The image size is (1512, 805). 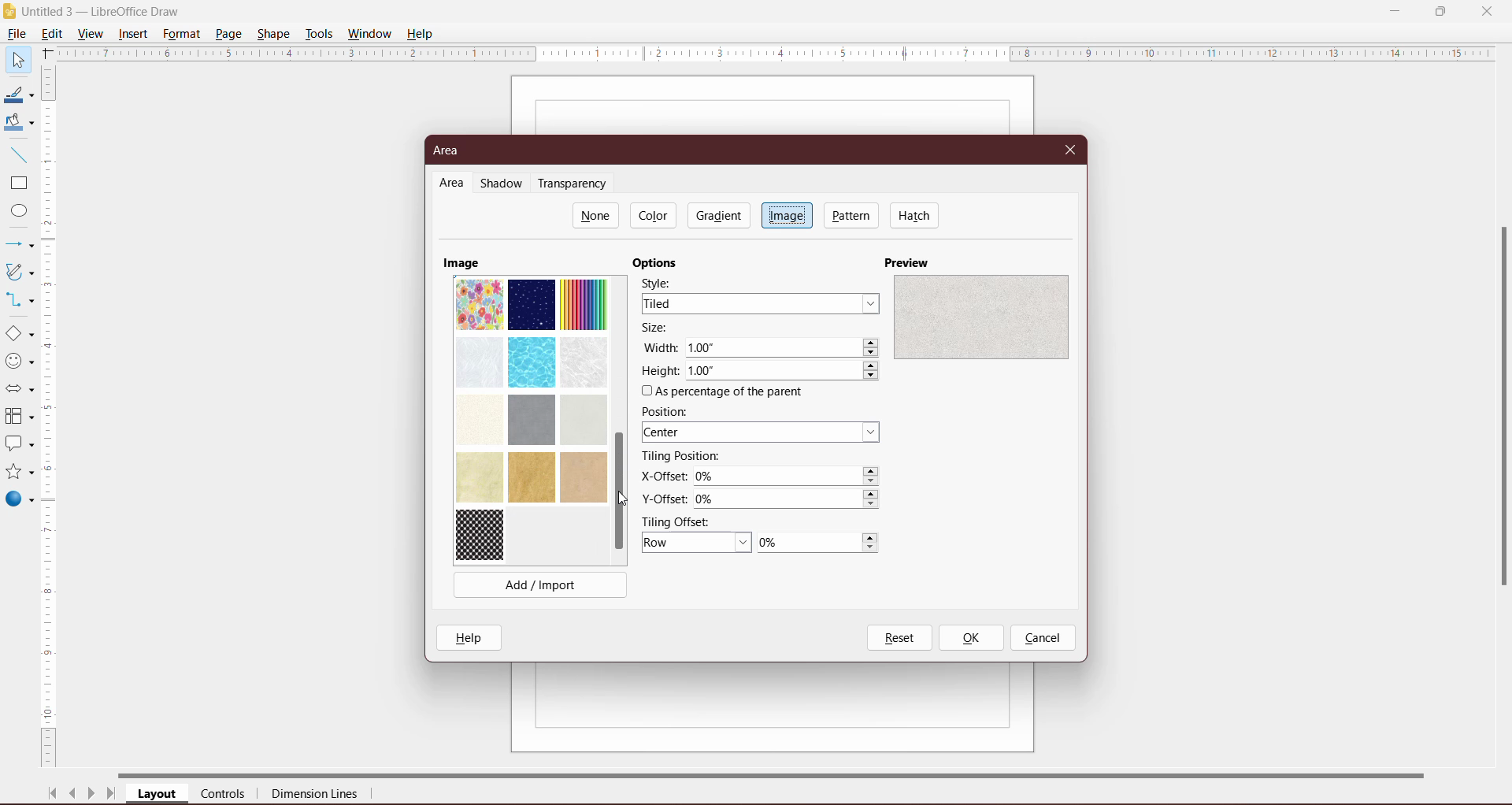 What do you see at coordinates (899, 638) in the screenshot?
I see `Reset` at bounding box center [899, 638].